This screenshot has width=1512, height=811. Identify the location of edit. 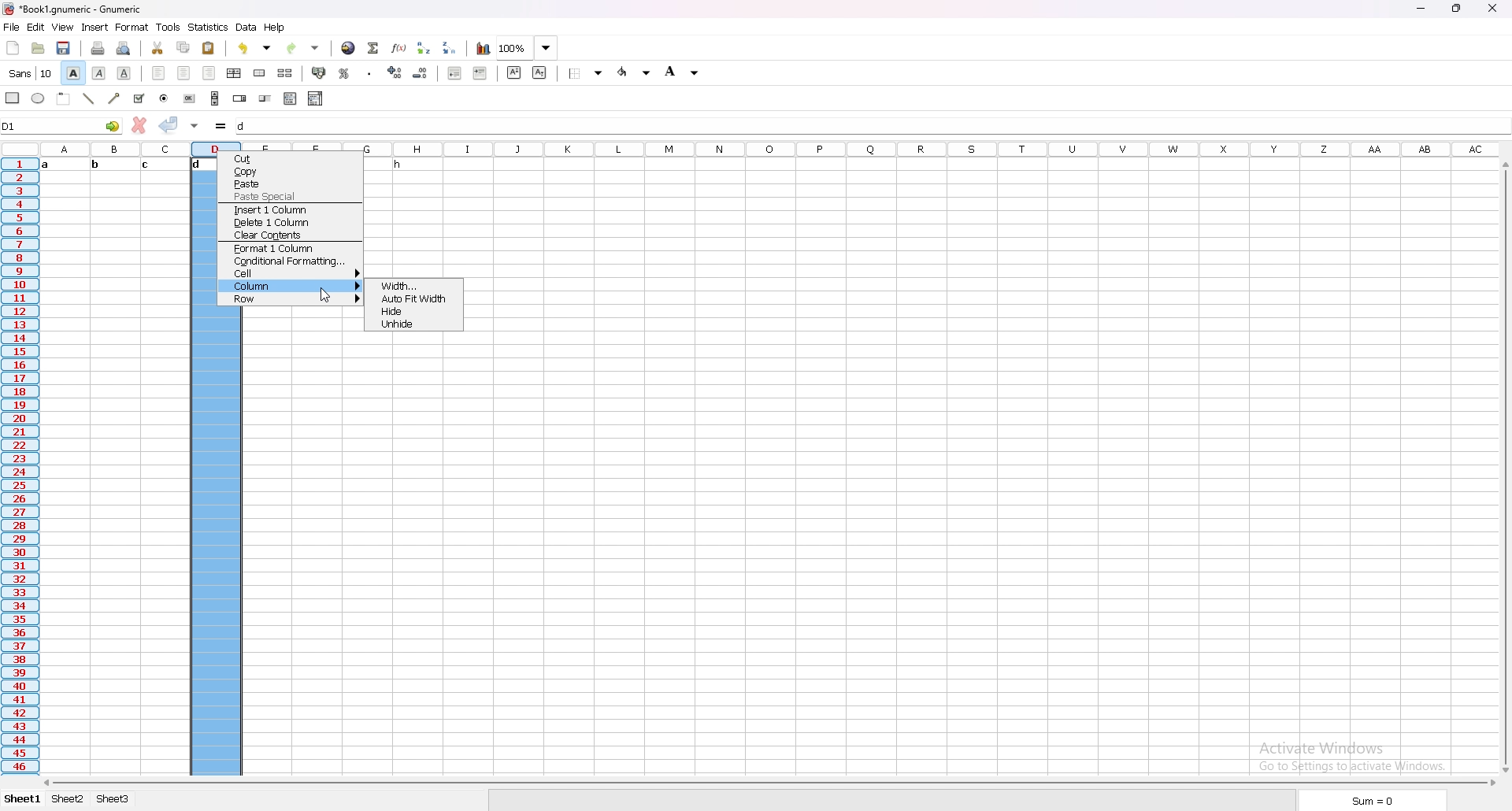
(35, 27).